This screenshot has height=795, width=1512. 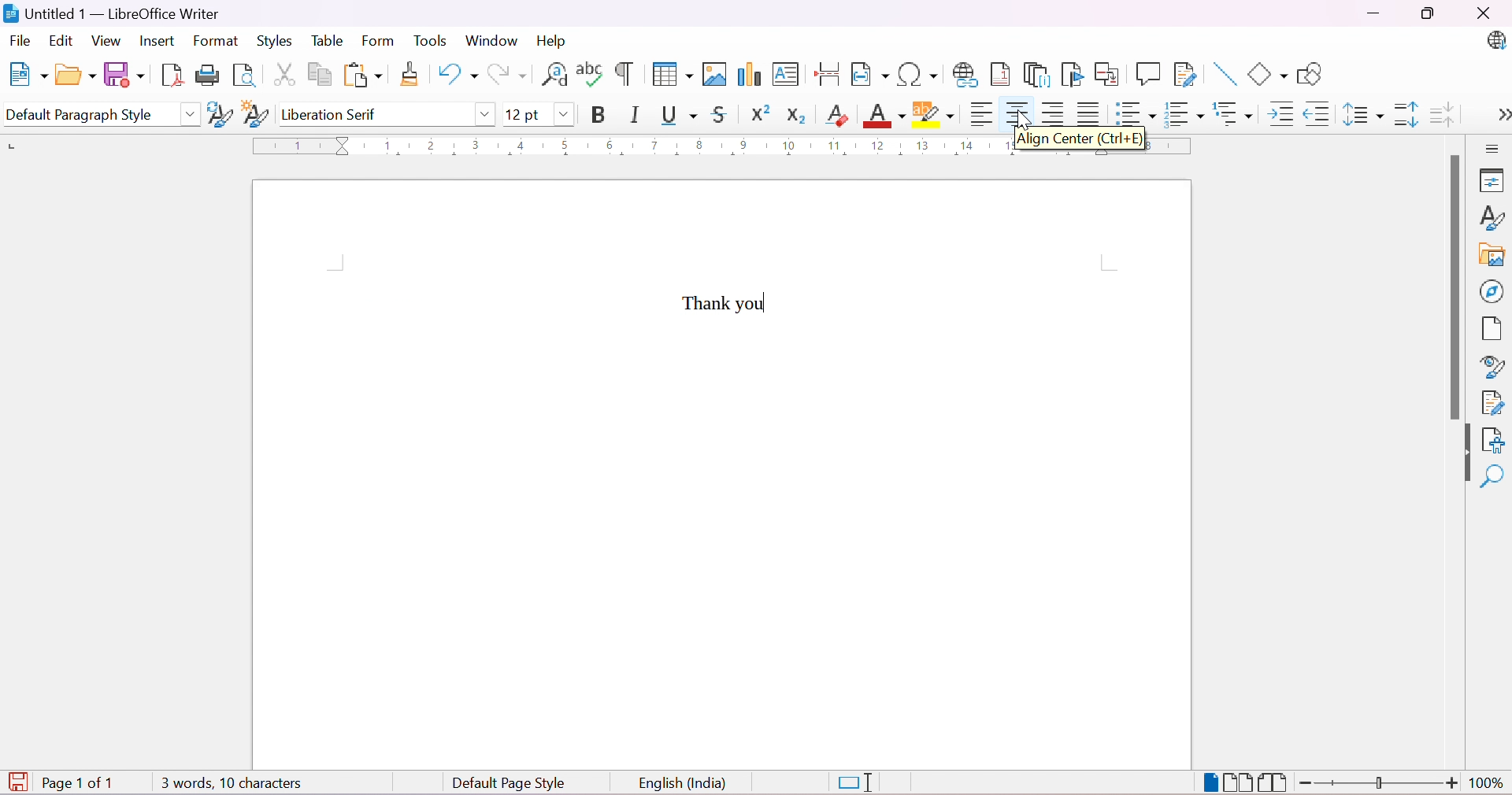 What do you see at coordinates (206, 76) in the screenshot?
I see `Print` at bounding box center [206, 76].